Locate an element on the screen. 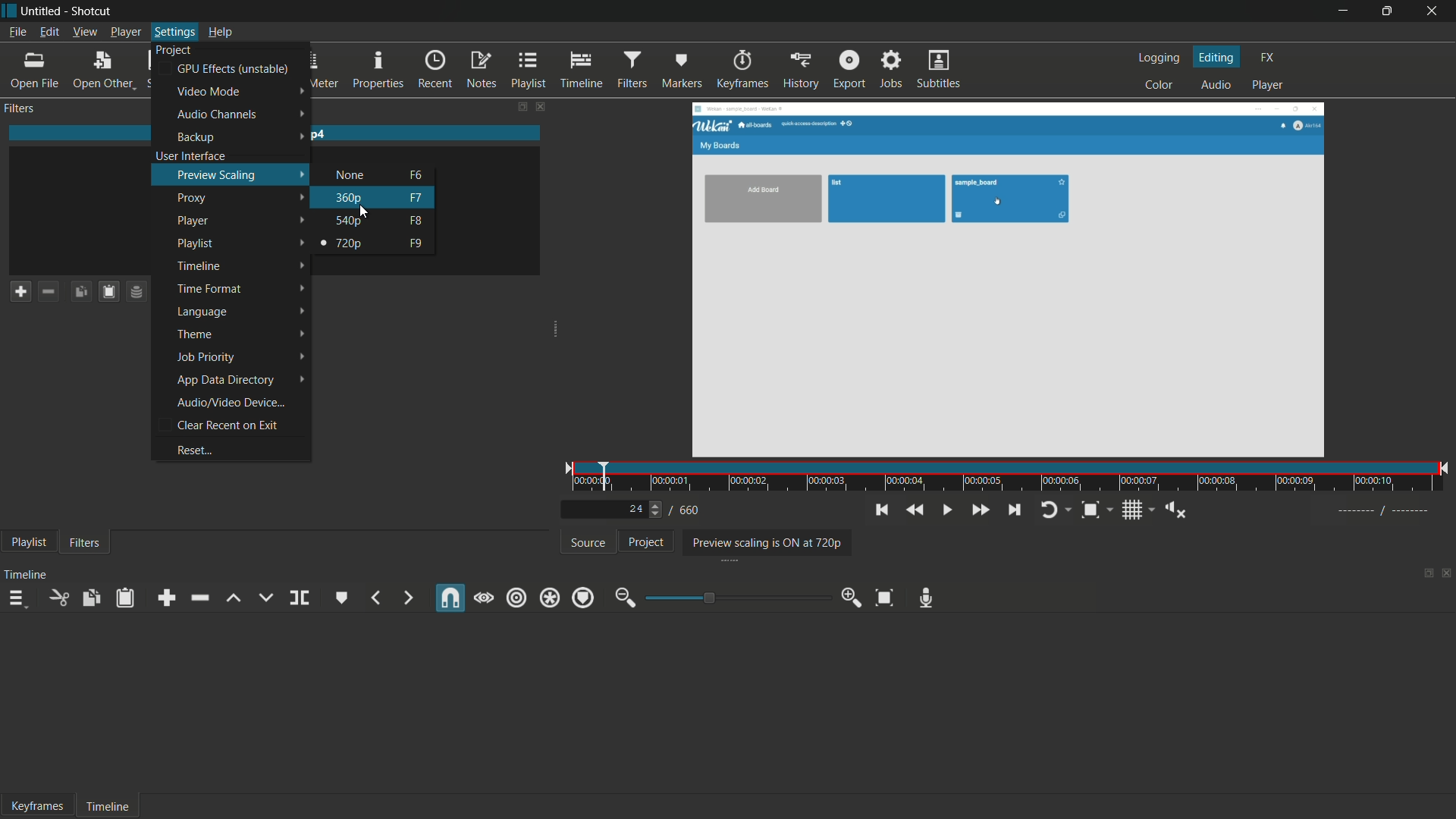 The height and width of the screenshot is (819, 1456). app icon is located at coordinates (9, 10).